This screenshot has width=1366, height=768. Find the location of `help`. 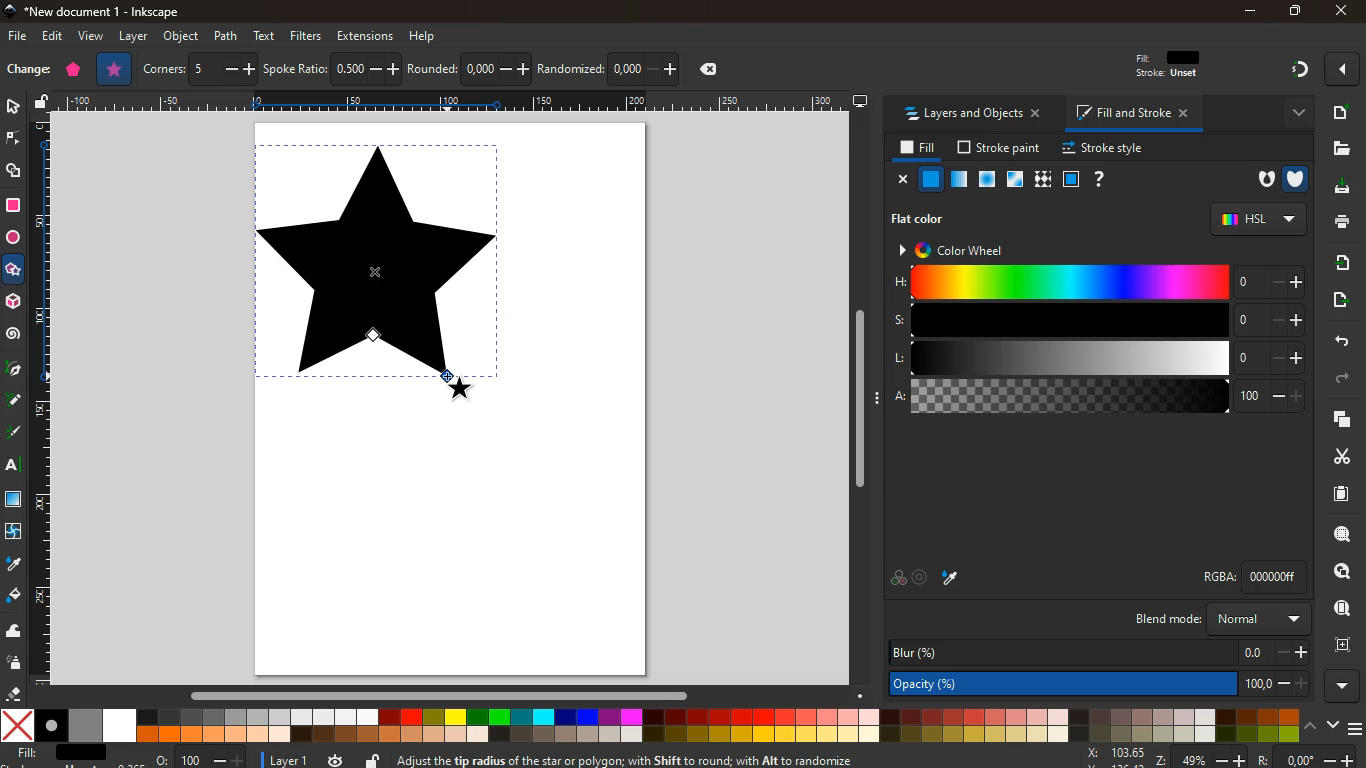

help is located at coordinates (1105, 179).